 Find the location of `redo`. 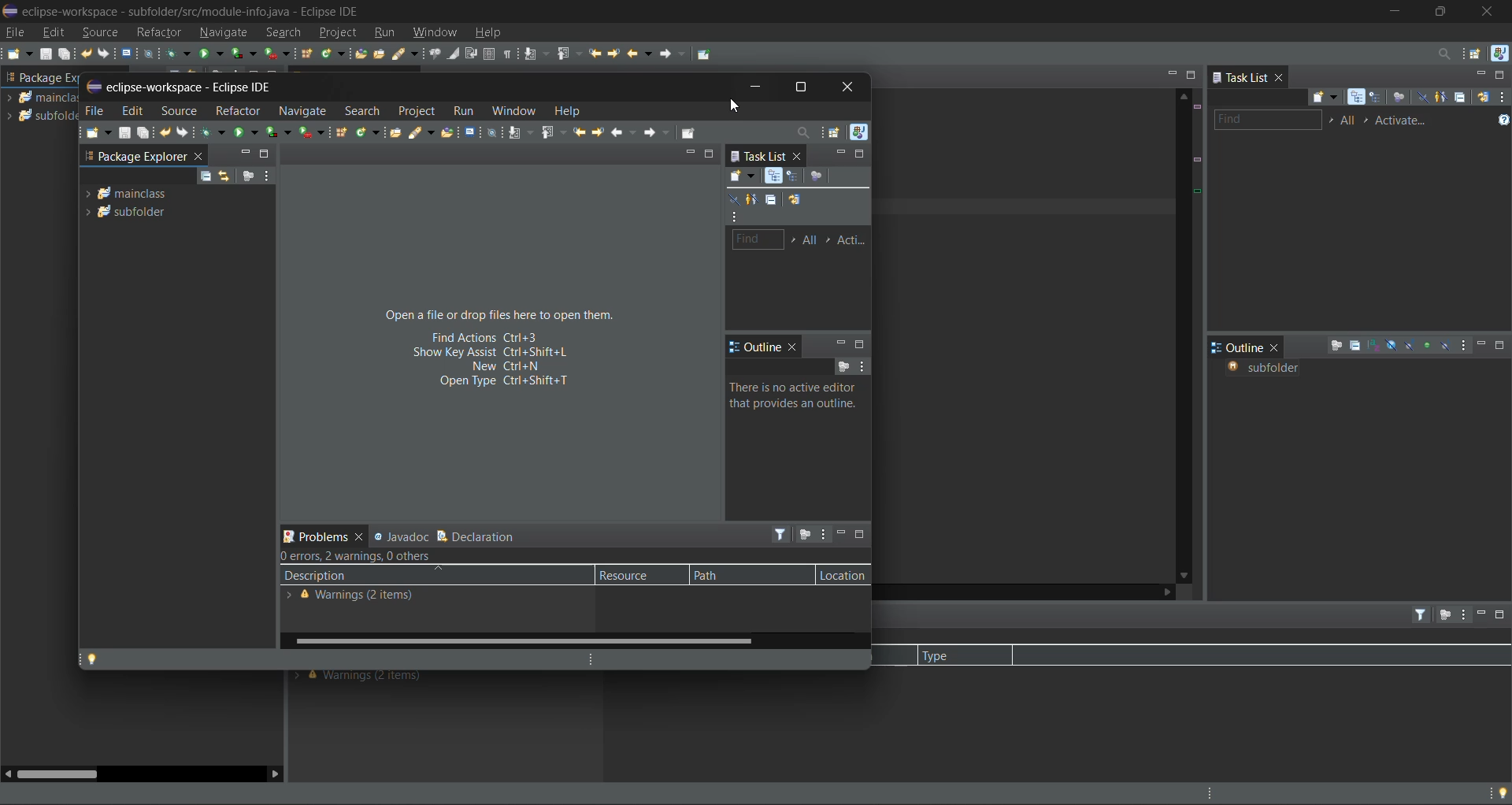

redo is located at coordinates (185, 134).